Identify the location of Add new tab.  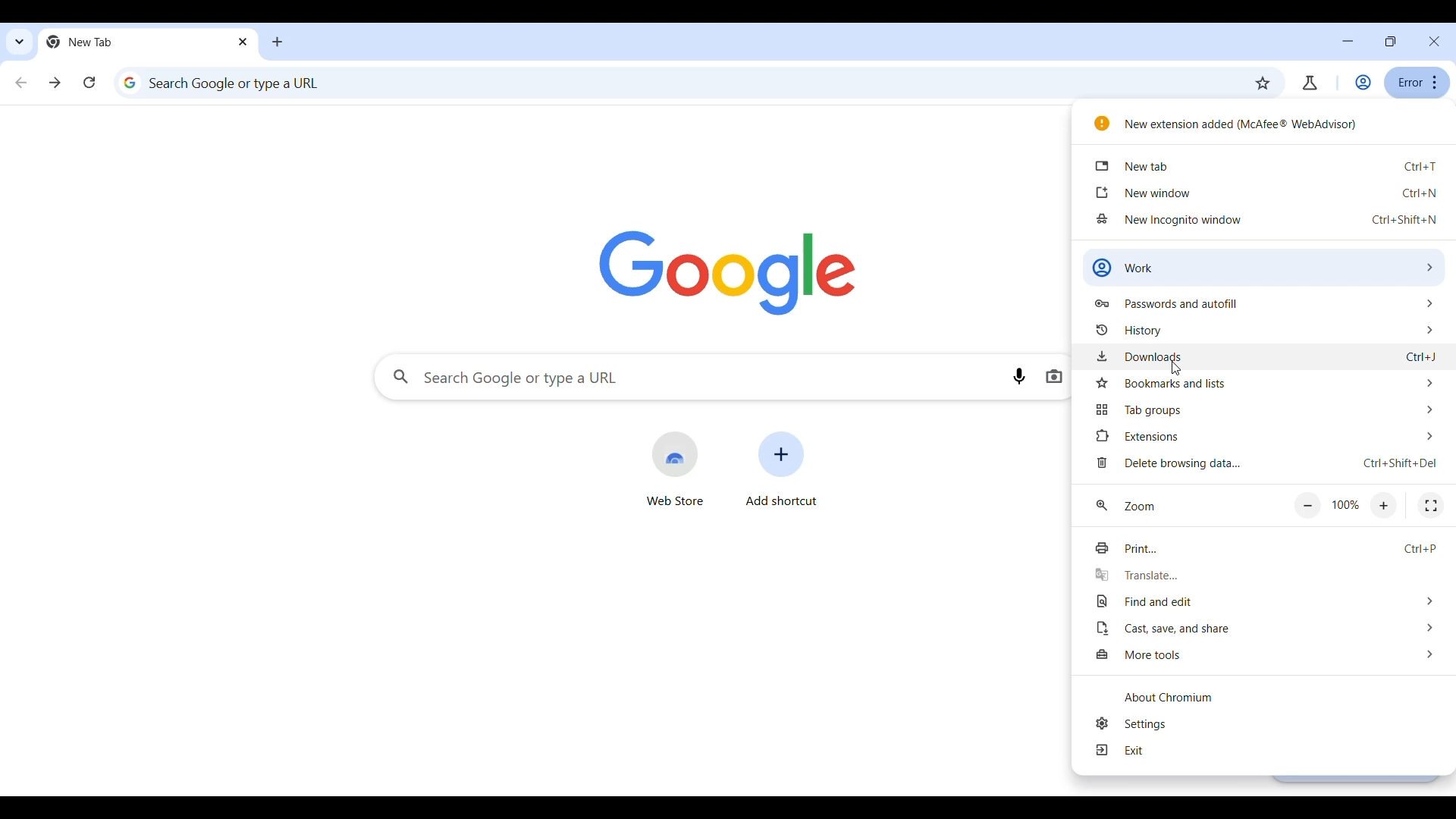
(278, 42).